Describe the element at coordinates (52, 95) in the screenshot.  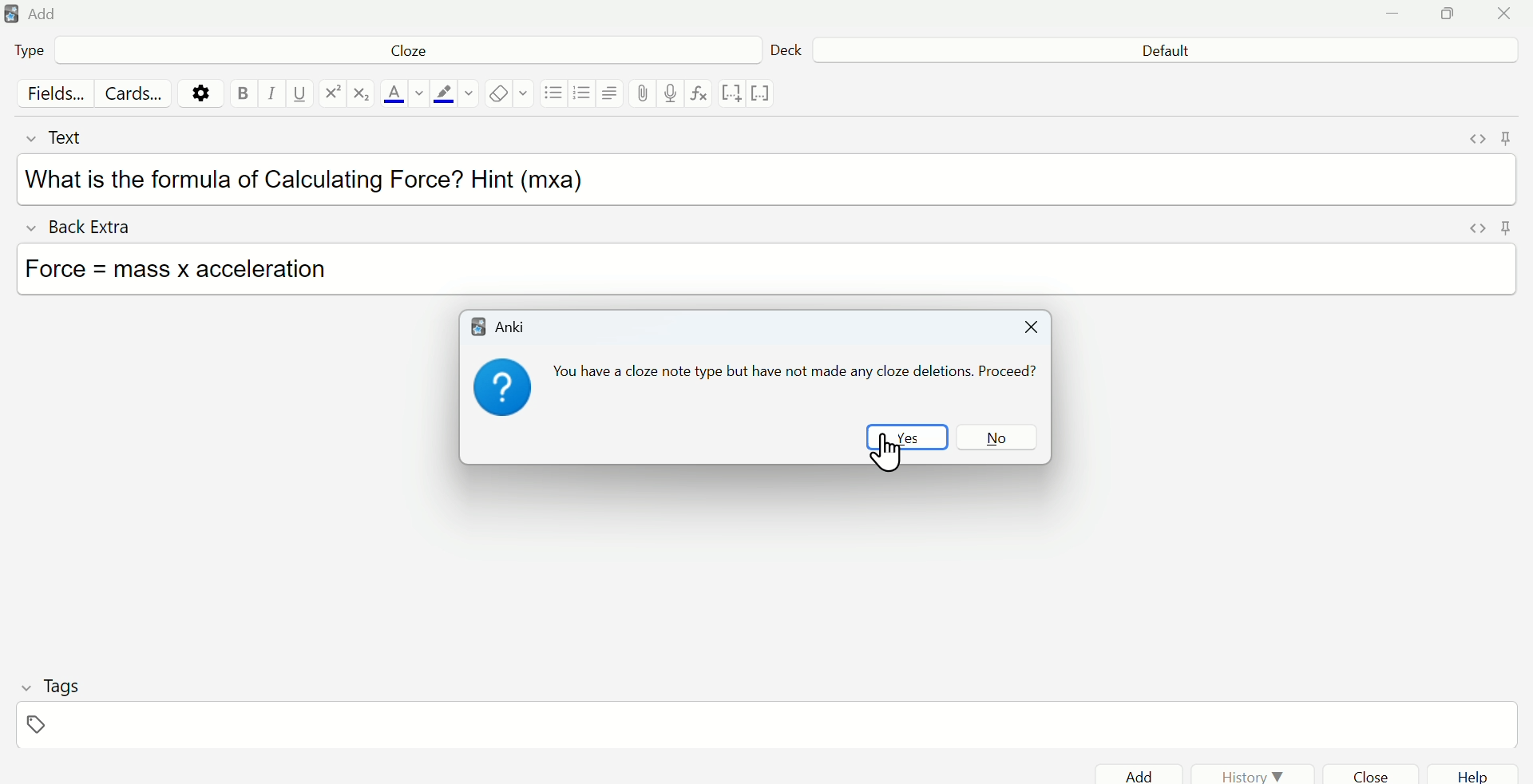
I see `Fields` at that location.